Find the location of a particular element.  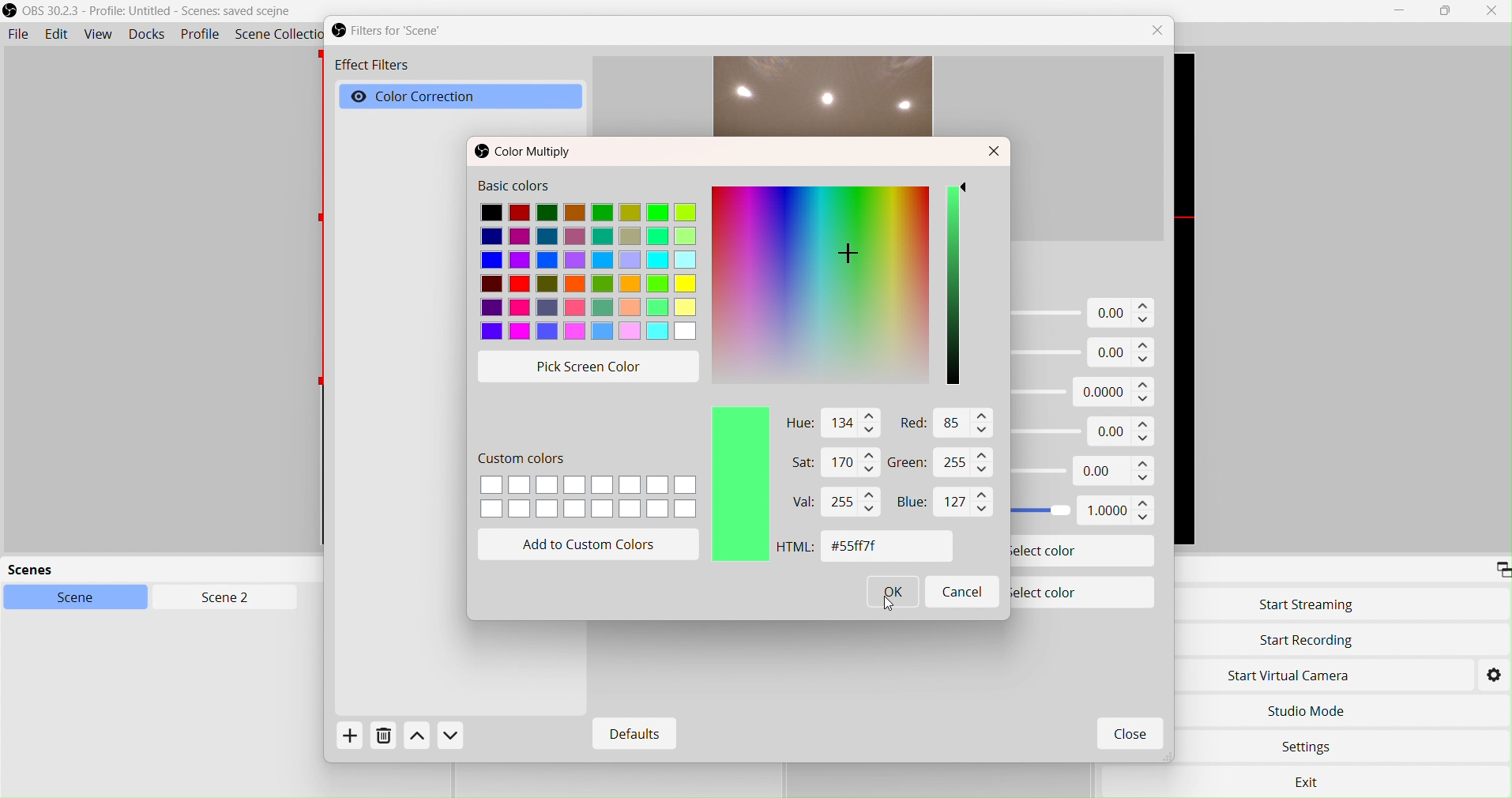

Color Multiply is located at coordinates (529, 152).